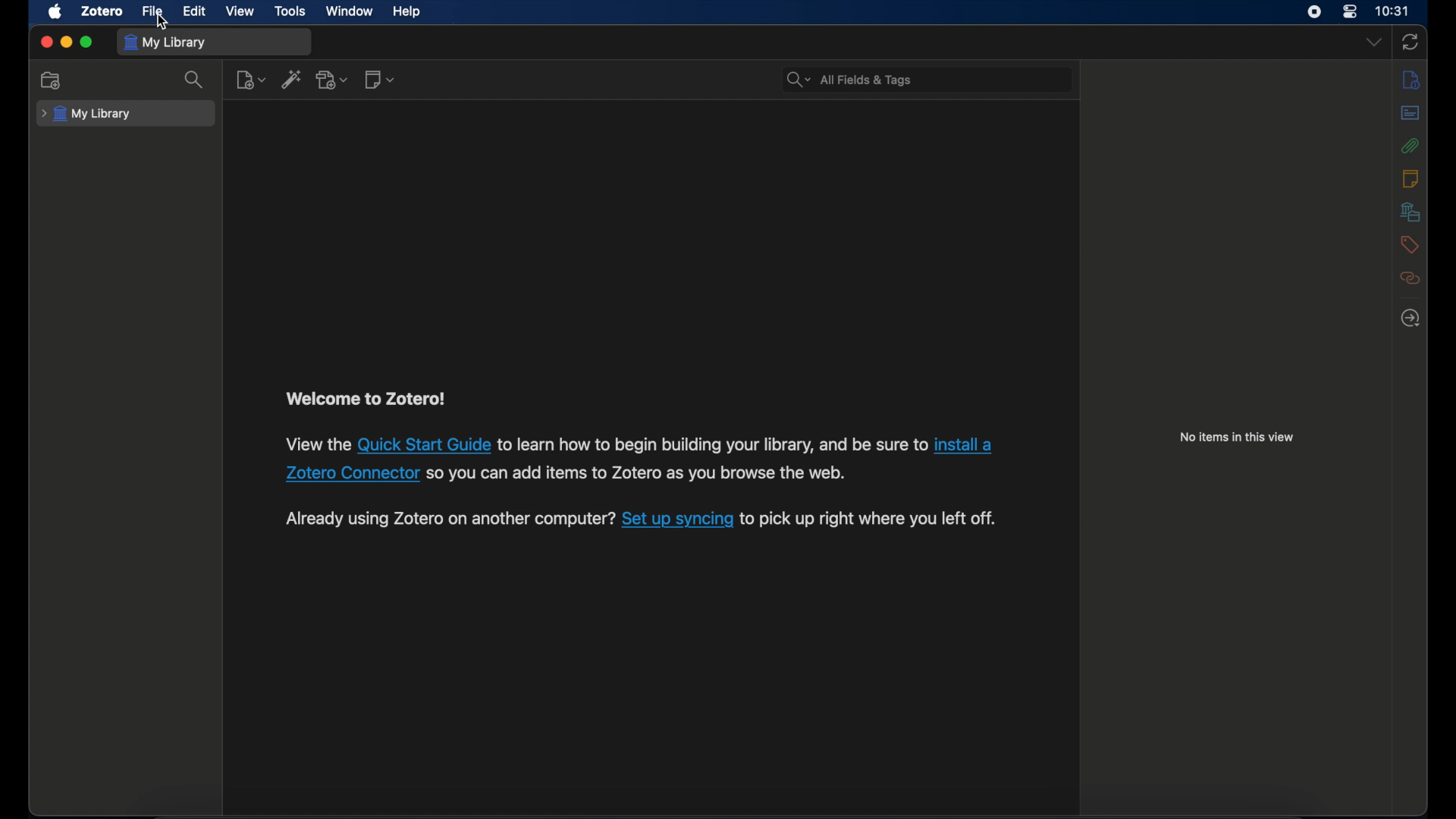 The image size is (1456, 819). What do you see at coordinates (642, 475) in the screenshot?
I see `` at bounding box center [642, 475].